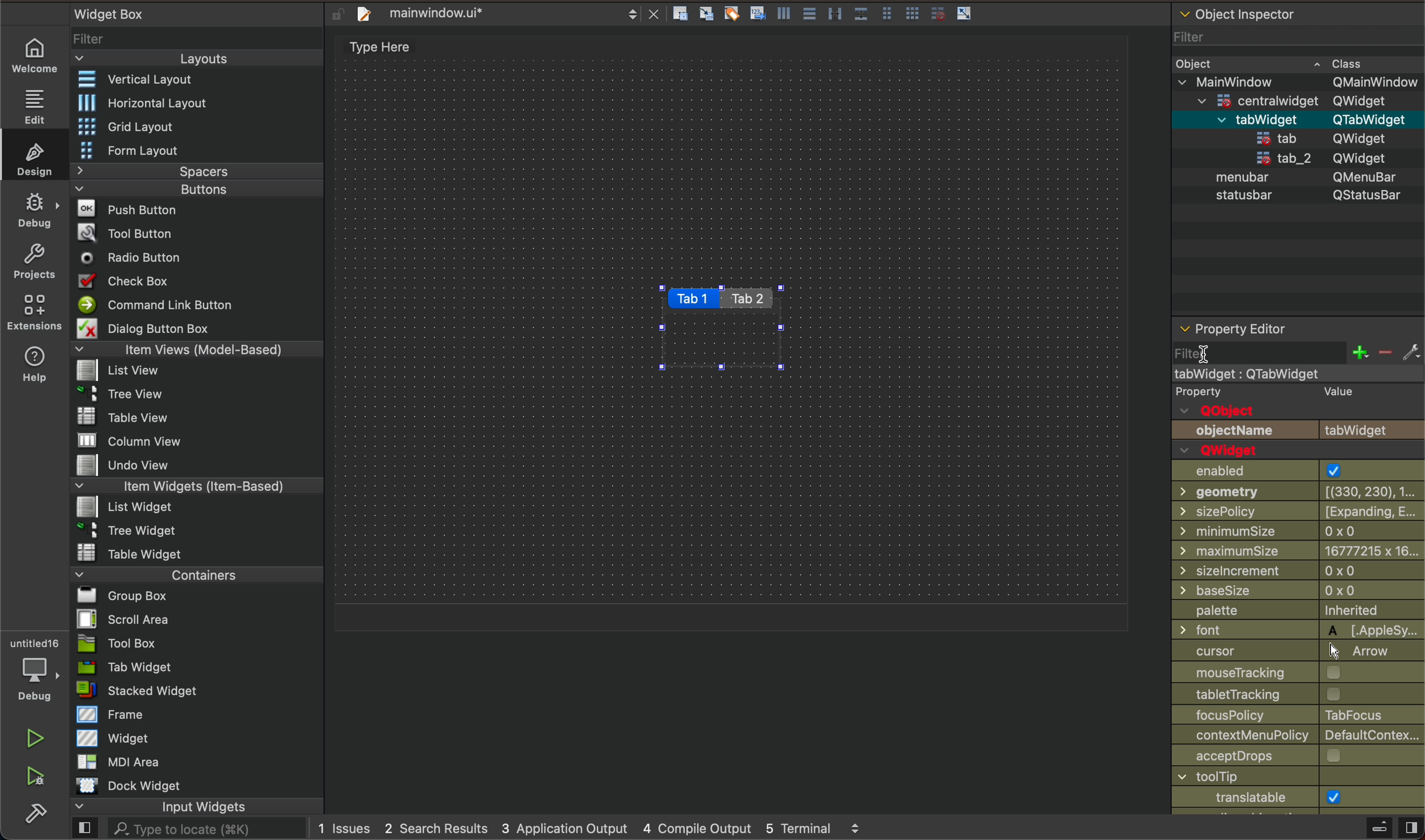 The image size is (1425, 840). What do you see at coordinates (125, 235) in the screenshot?
I see `Tool Button` at bounding box center [125, 235].